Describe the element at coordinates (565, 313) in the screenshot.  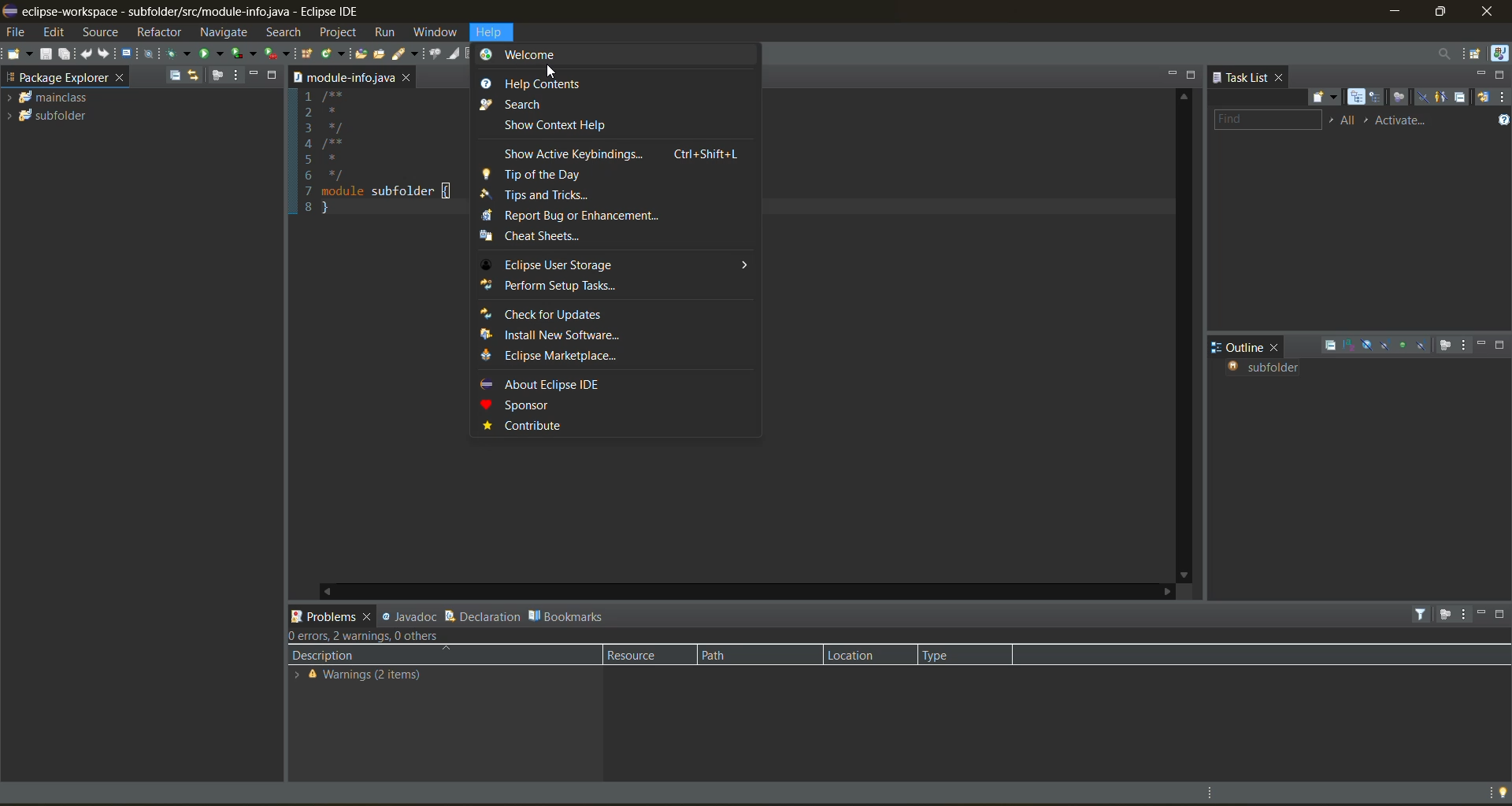
I see `check for updates` at that location.